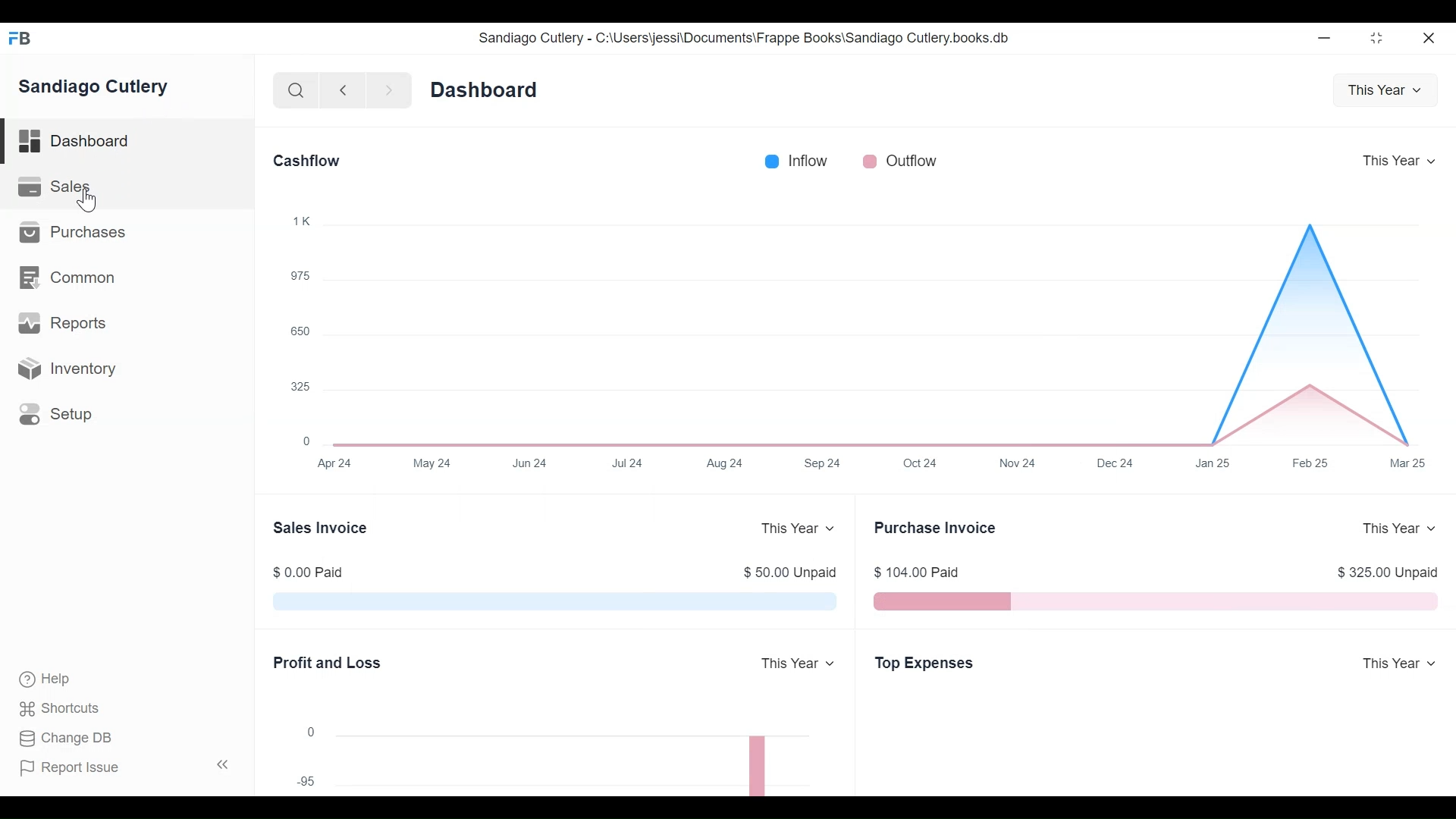 The width and height of the screenshot is (1456, 819). What do you see at coordinates (742, 37) in the screenshot?
I see `Sandiago Cutlery - C:\Users\jessi\Documents\Frappe Books\Sandiago Cutlery.books.db` at bounding box center [742, 37].